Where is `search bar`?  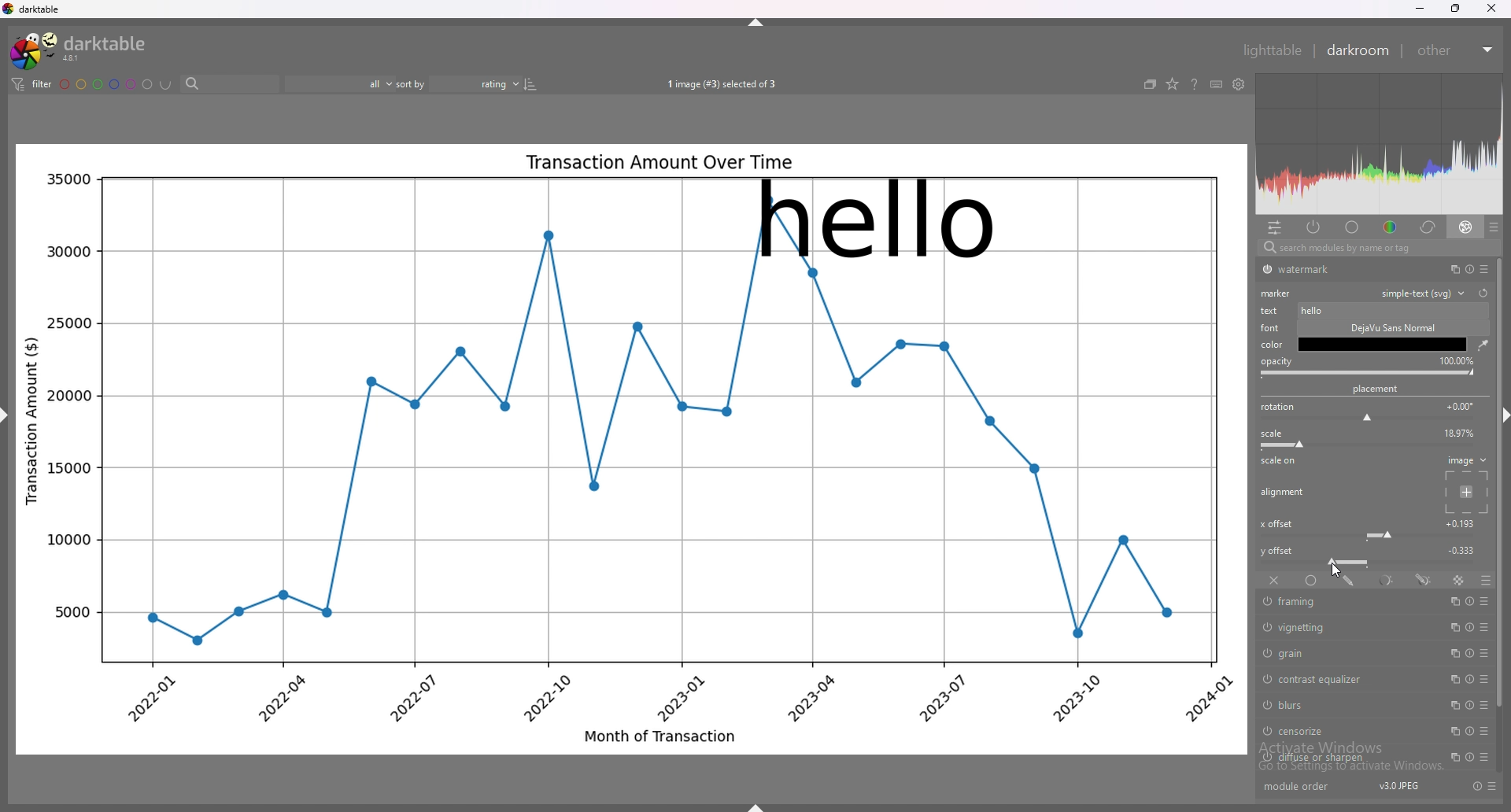
search bar is located at coordinates (226, 85).